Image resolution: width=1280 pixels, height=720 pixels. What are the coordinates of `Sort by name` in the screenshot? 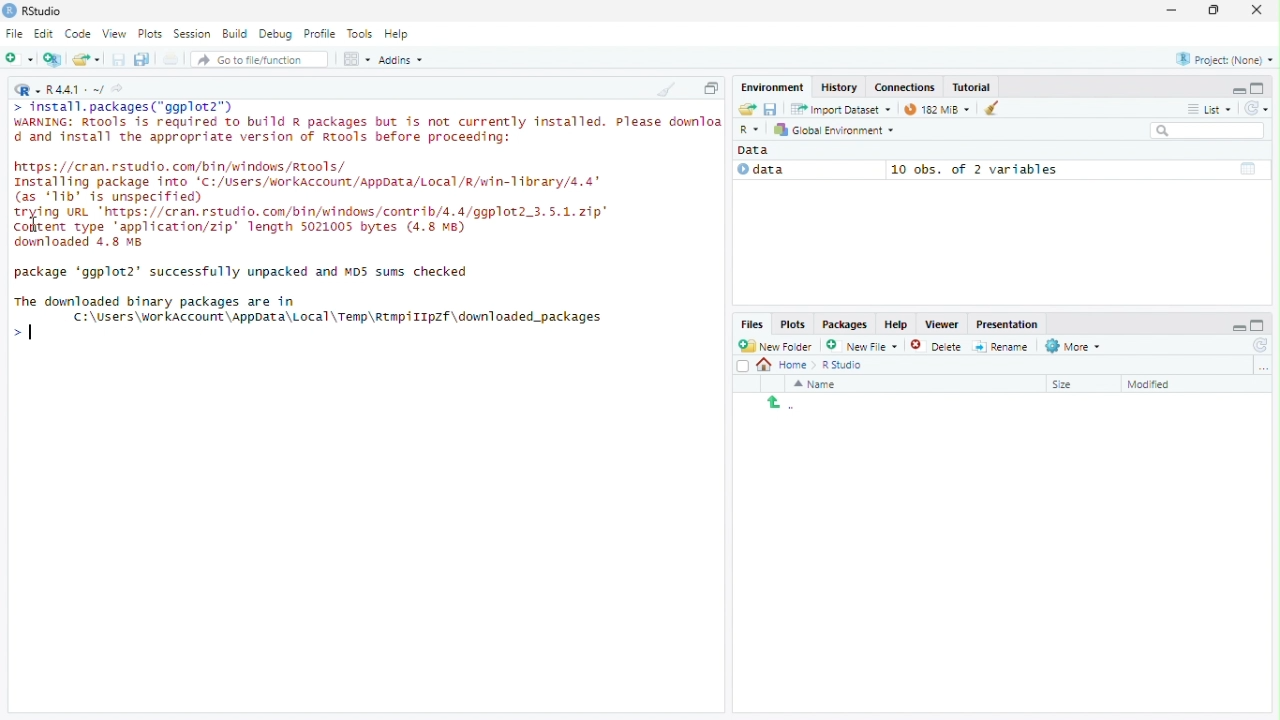 It's located at (821, 384).